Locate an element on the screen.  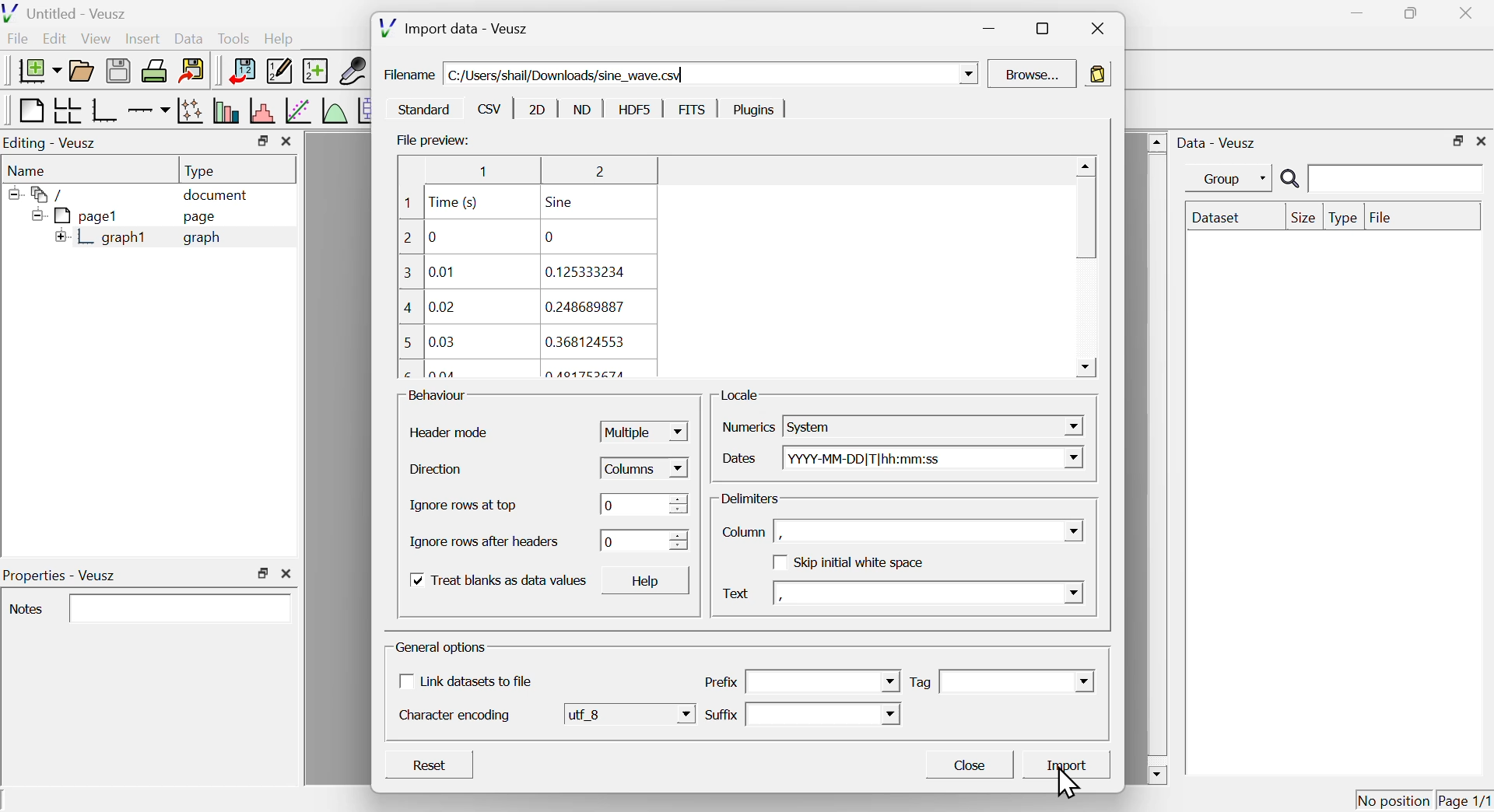
graph1 is located at coordinates (103, 238).